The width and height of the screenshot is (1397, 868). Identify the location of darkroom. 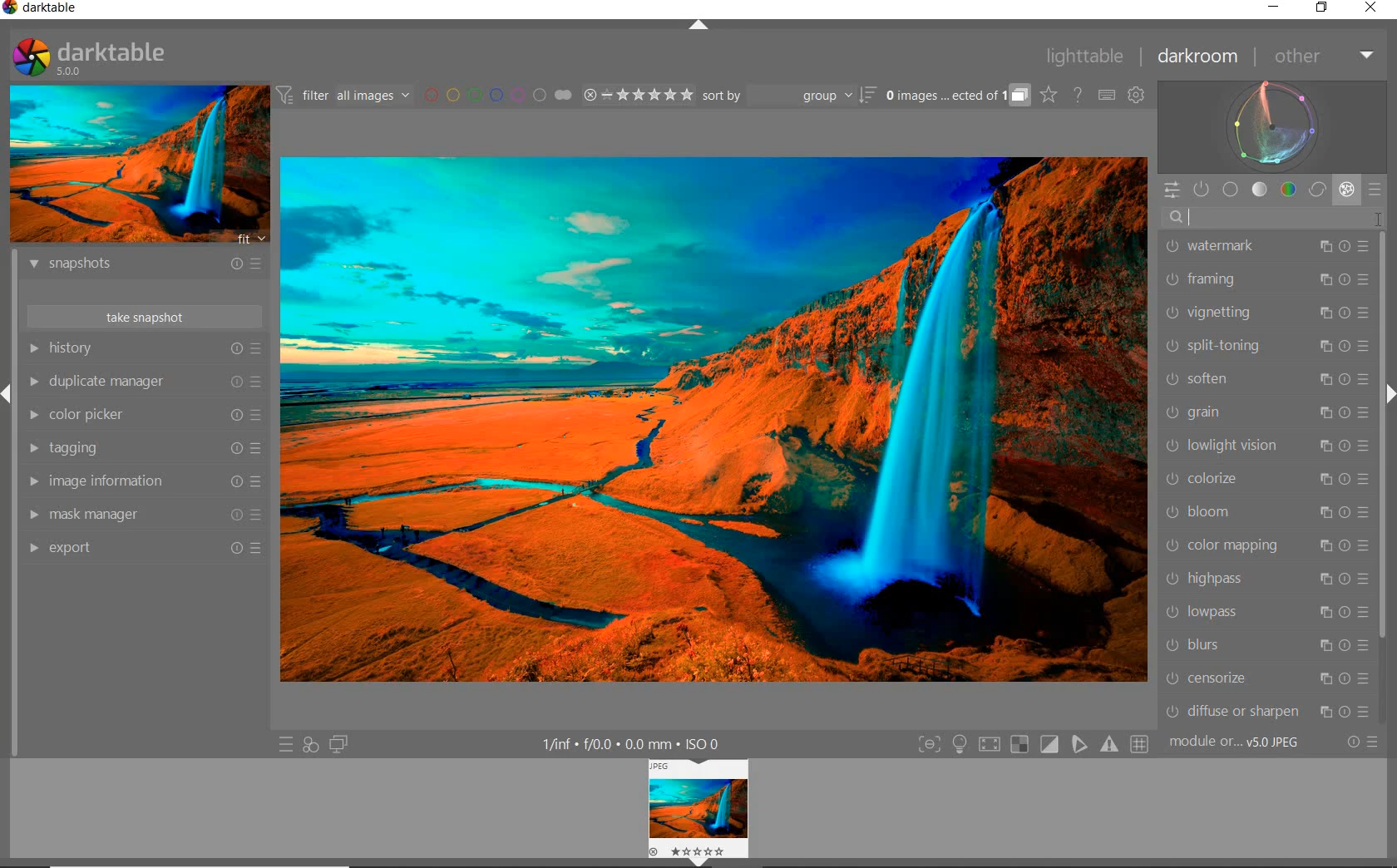
(1198, 57).